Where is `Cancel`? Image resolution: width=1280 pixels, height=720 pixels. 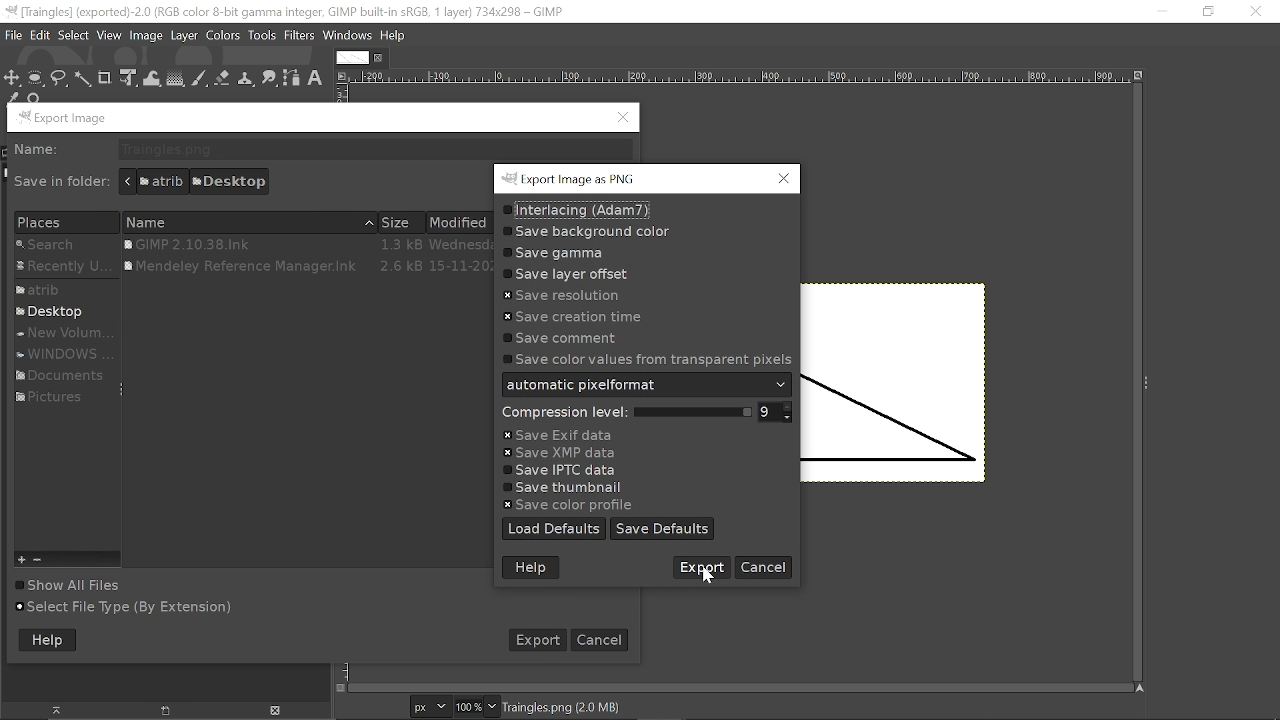 Cancel is located at coordinates (602, 639).